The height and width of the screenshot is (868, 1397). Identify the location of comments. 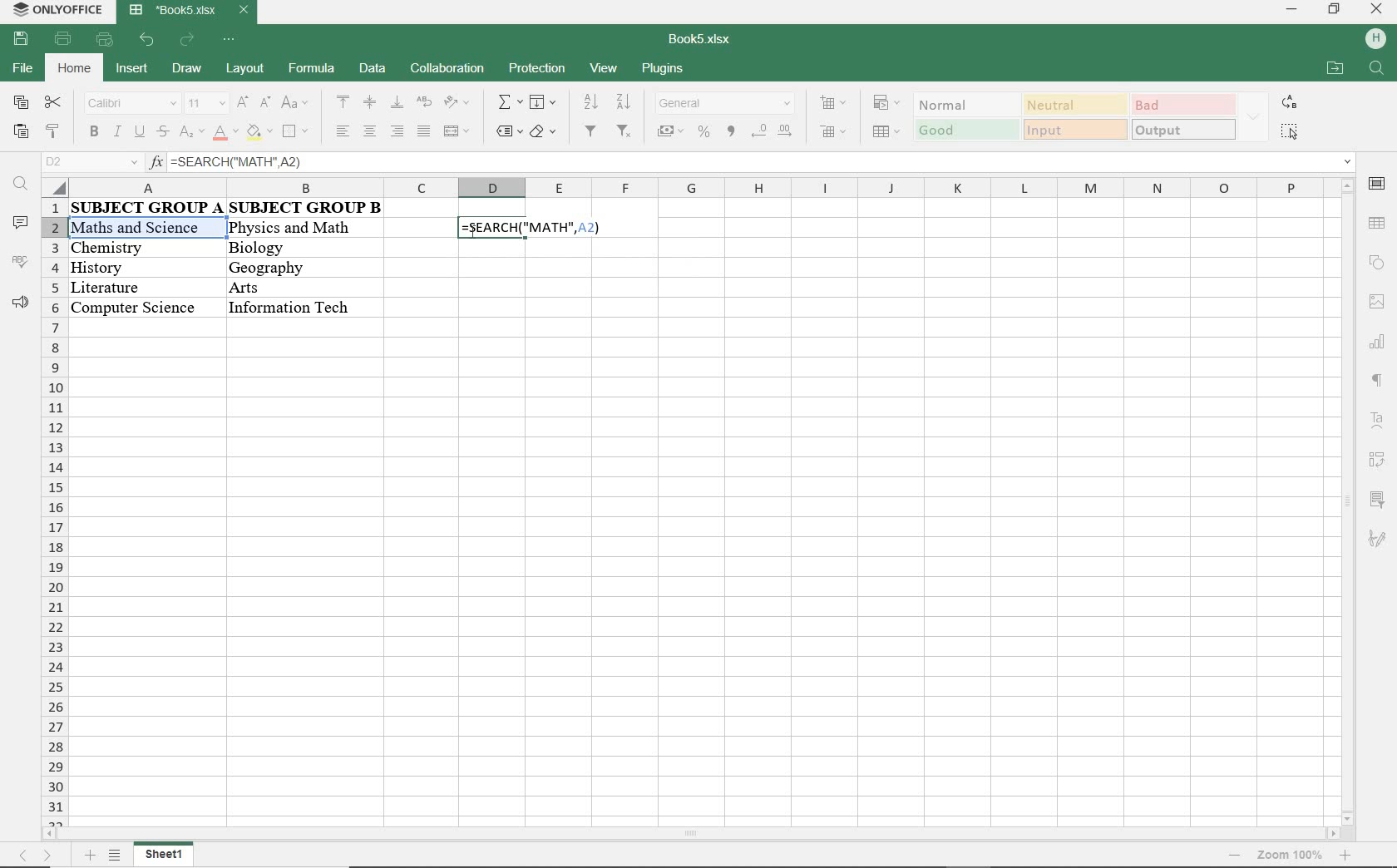
(19, 224).